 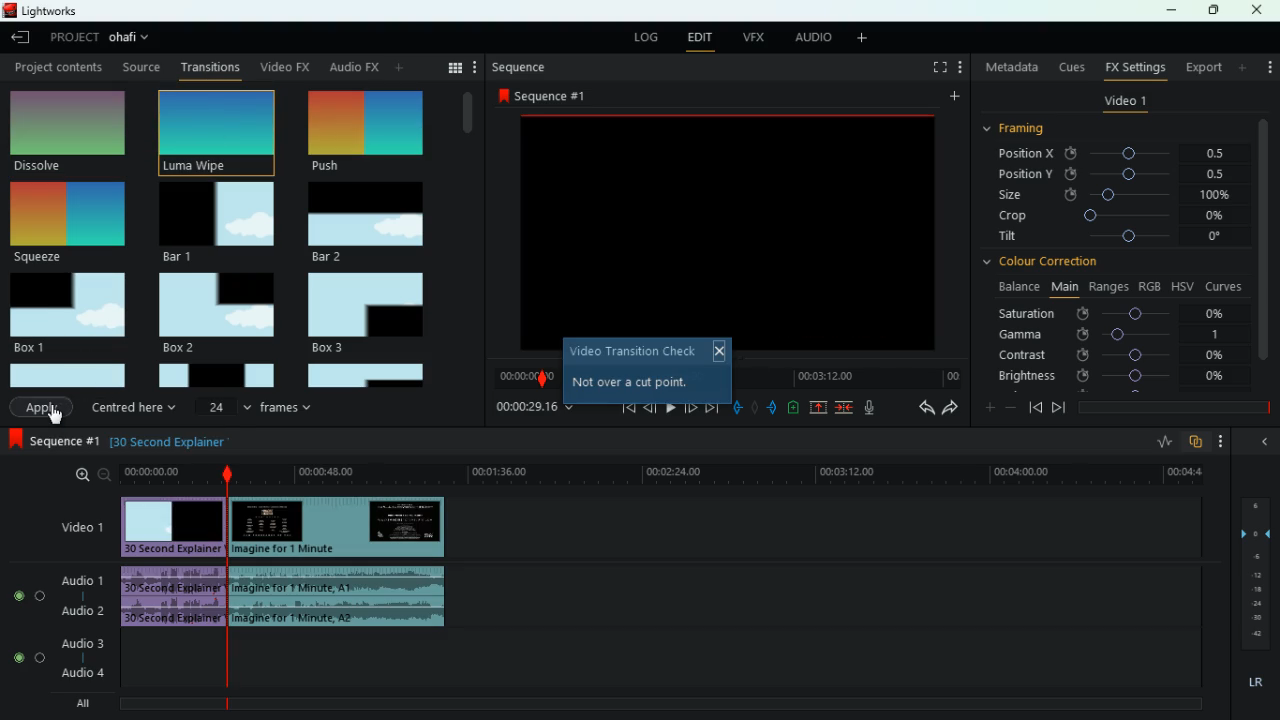 What do you see at coordinates (74, 37) in the screenshot?
I see `project` at bounding box center [74, 37].